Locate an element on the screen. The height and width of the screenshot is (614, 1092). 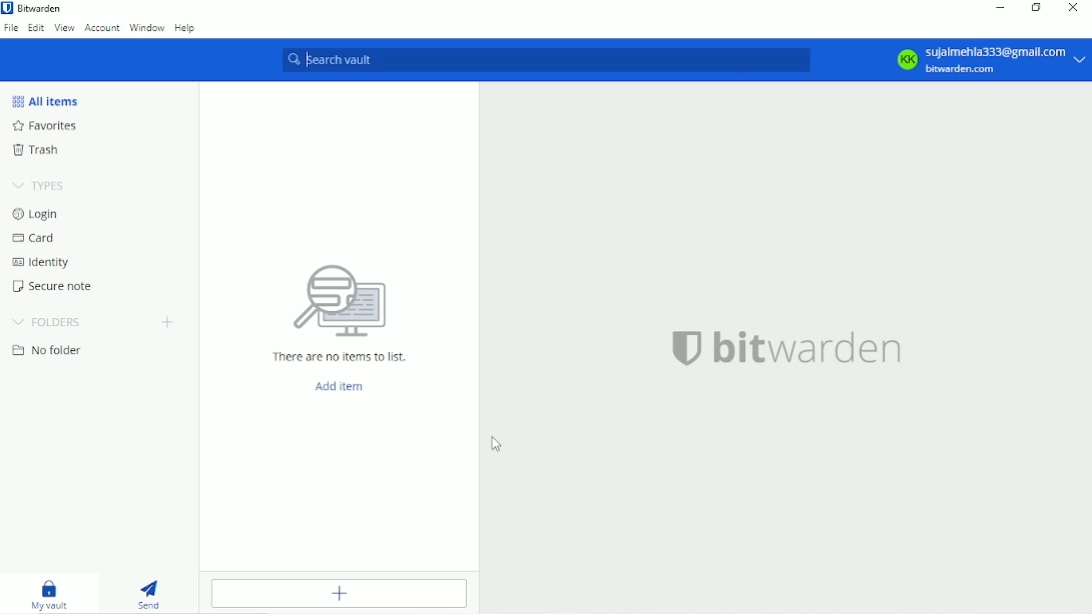
Create folder is located at coordinates (170, 322).